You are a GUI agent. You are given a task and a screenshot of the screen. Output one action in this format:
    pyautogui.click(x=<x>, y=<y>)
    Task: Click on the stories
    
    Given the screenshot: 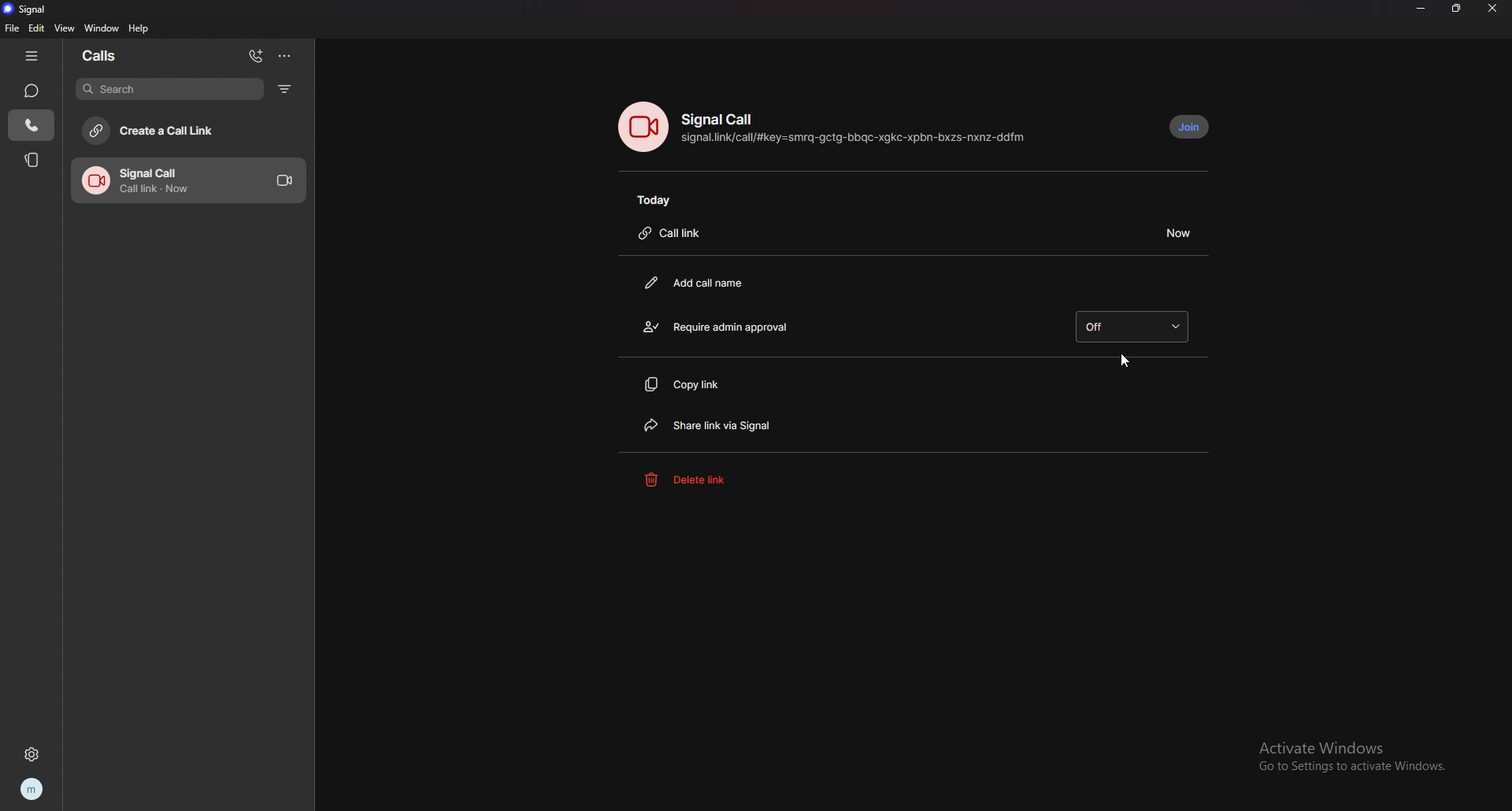 What is the action you would take?
    pyautogui.click(x=33, y=158)
    